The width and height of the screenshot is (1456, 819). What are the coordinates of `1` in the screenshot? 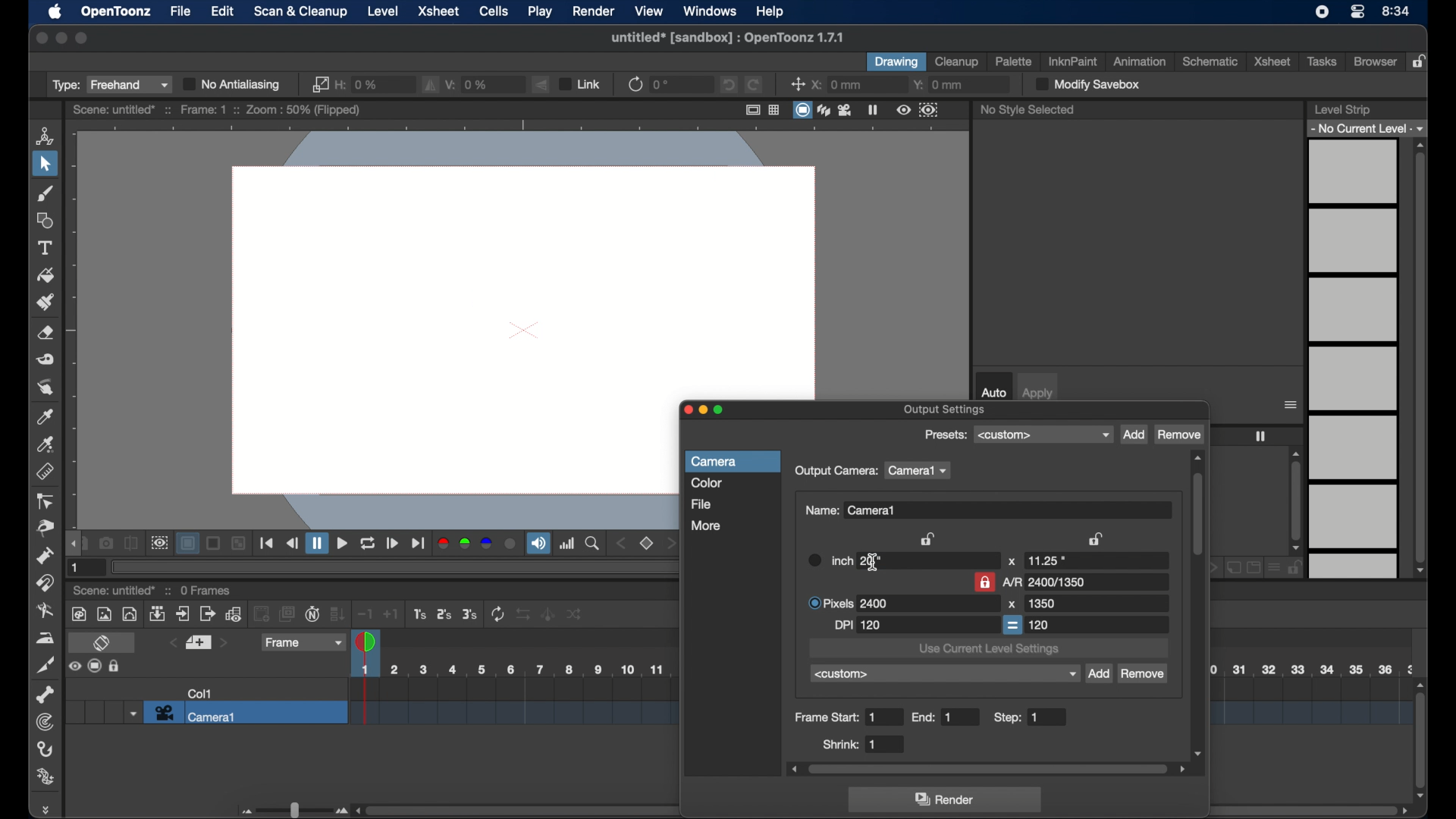 It's located at (77, 568).